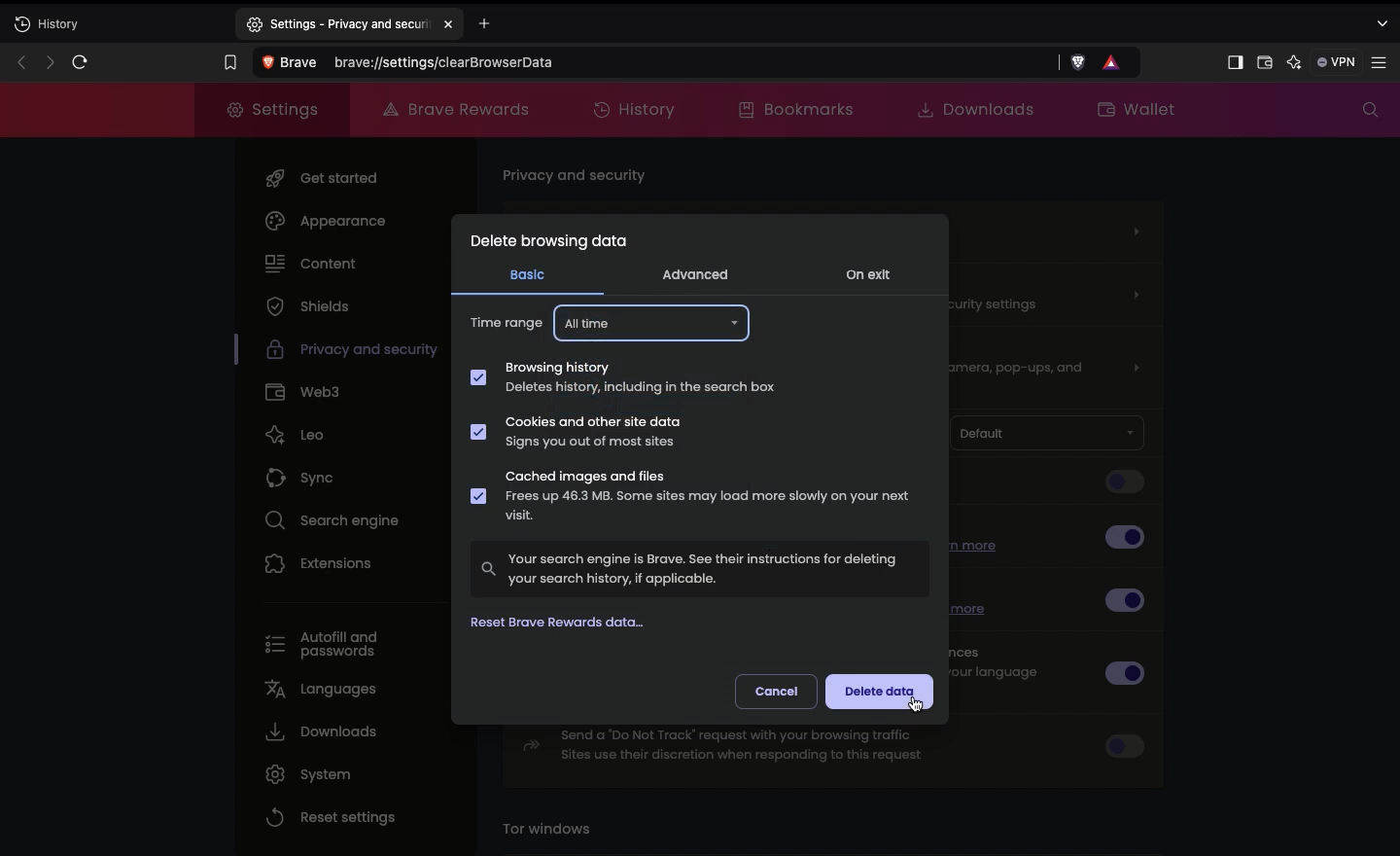  I want to click on Search, so click(1365, 110).